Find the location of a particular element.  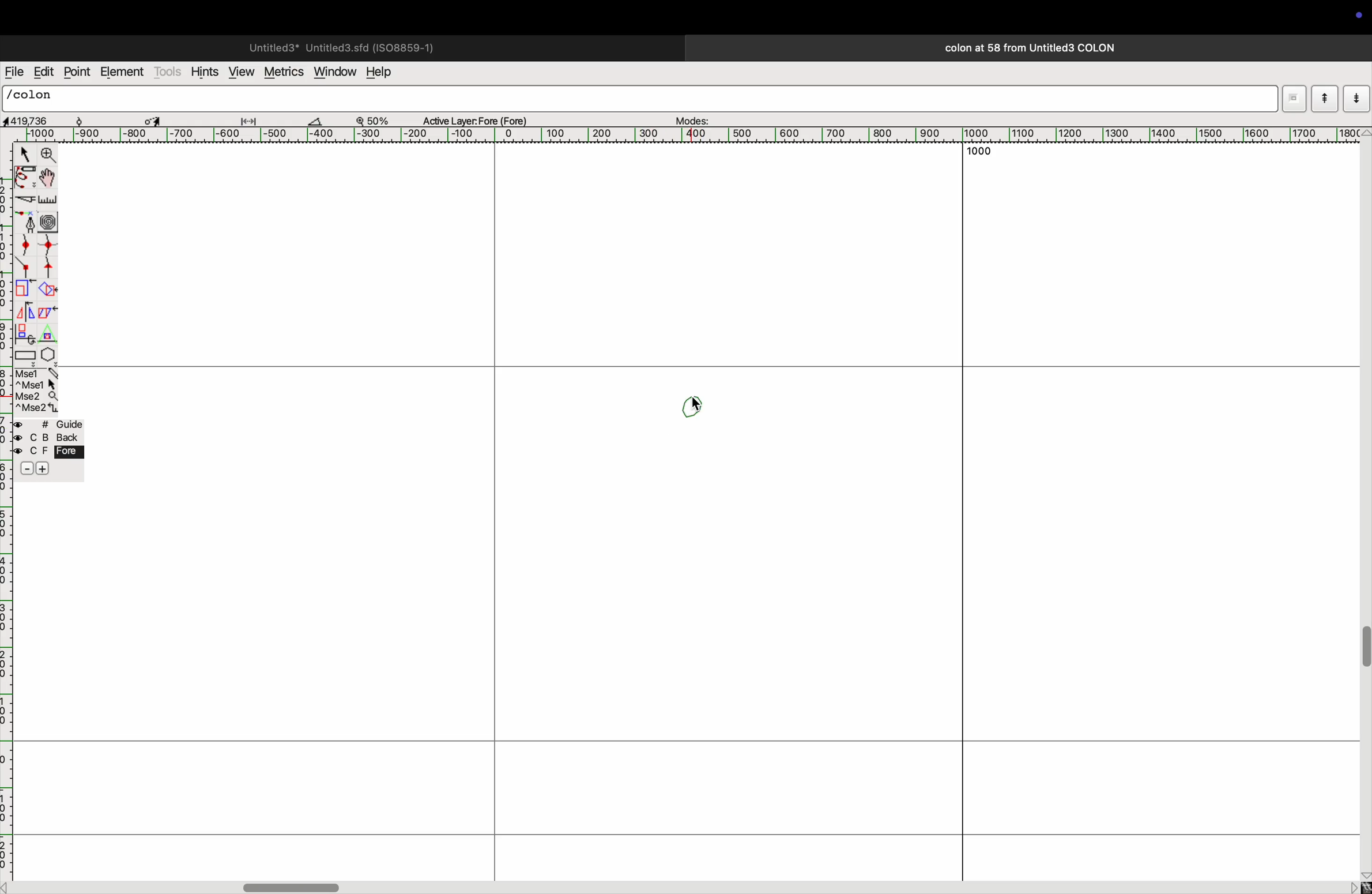

toggler is located at coordinates (291, 887).